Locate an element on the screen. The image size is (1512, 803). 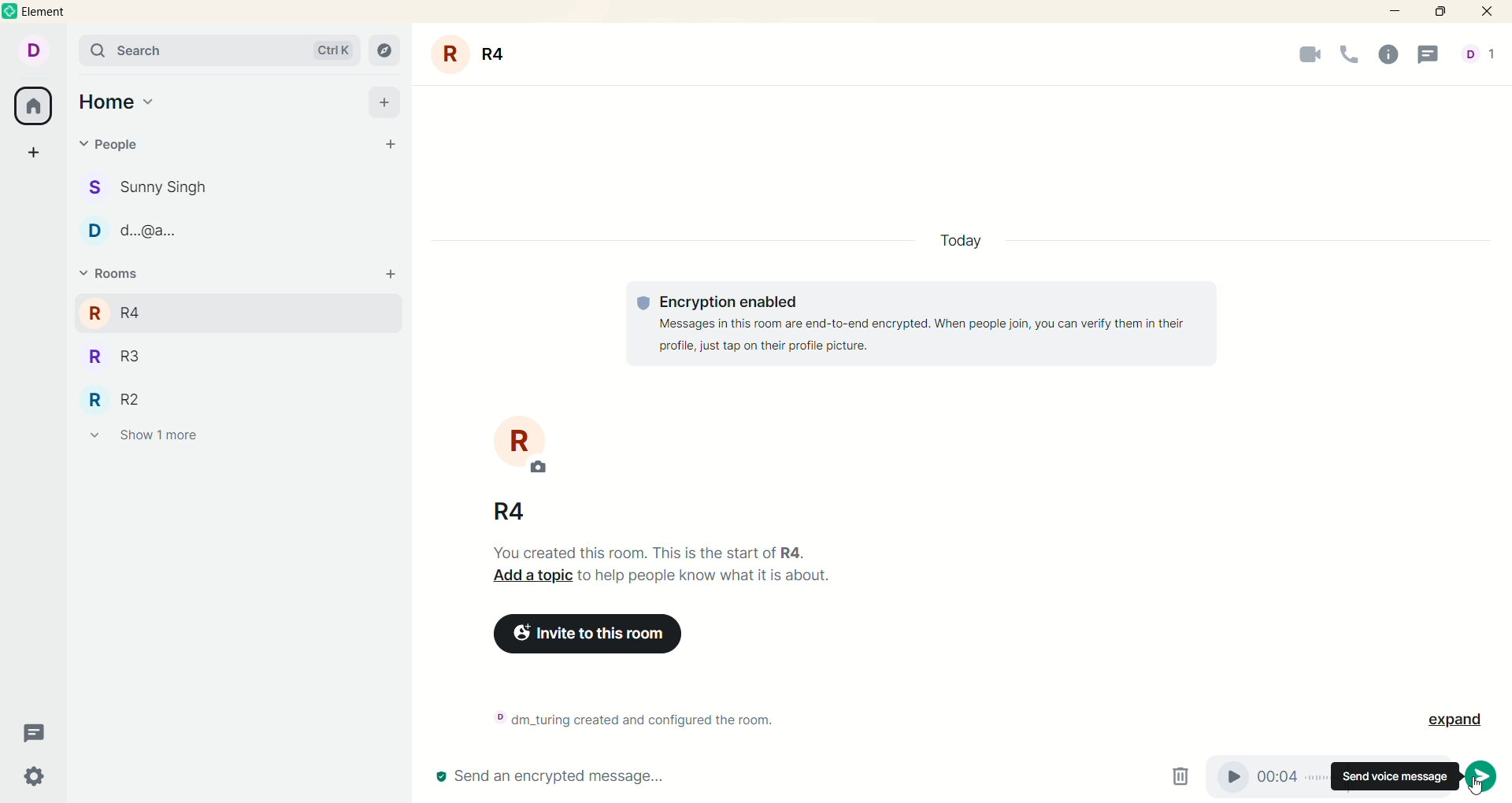
people is located at coordinates (115, 144).